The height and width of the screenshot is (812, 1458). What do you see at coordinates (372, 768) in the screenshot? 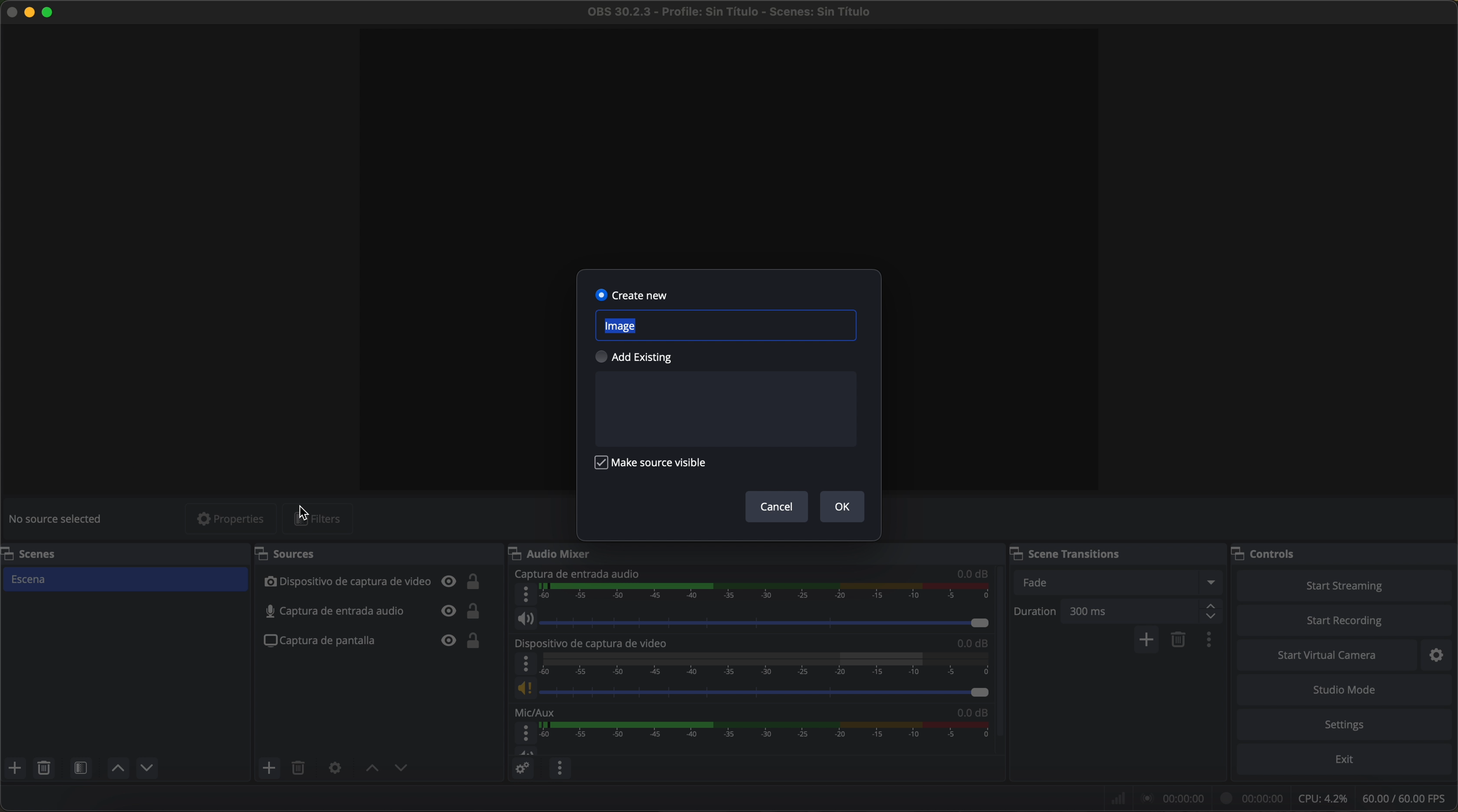
I see `move source up` at bounding box center [372, 768].